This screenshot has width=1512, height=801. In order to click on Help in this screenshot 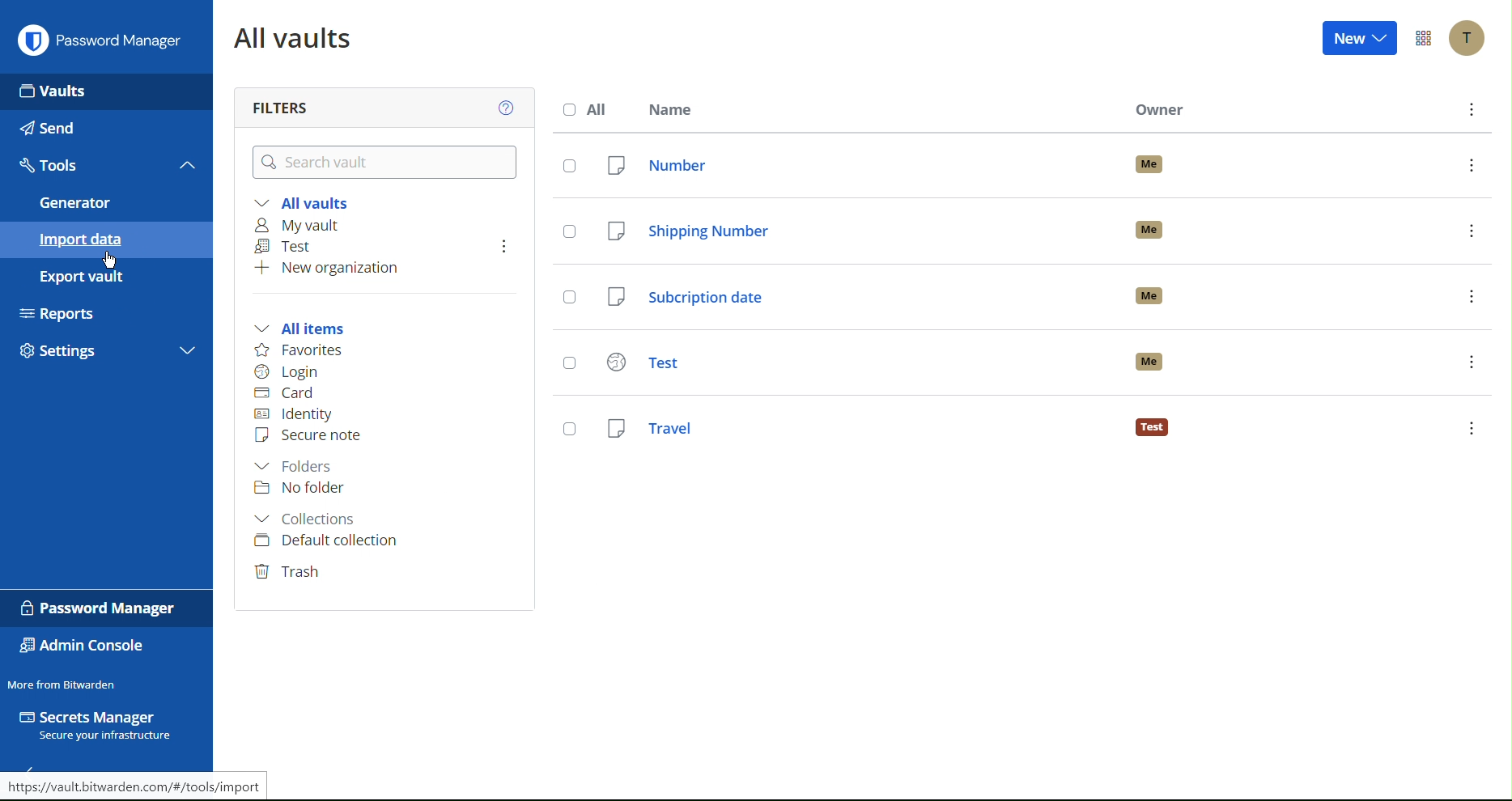, I will do `click(509, 107)`.